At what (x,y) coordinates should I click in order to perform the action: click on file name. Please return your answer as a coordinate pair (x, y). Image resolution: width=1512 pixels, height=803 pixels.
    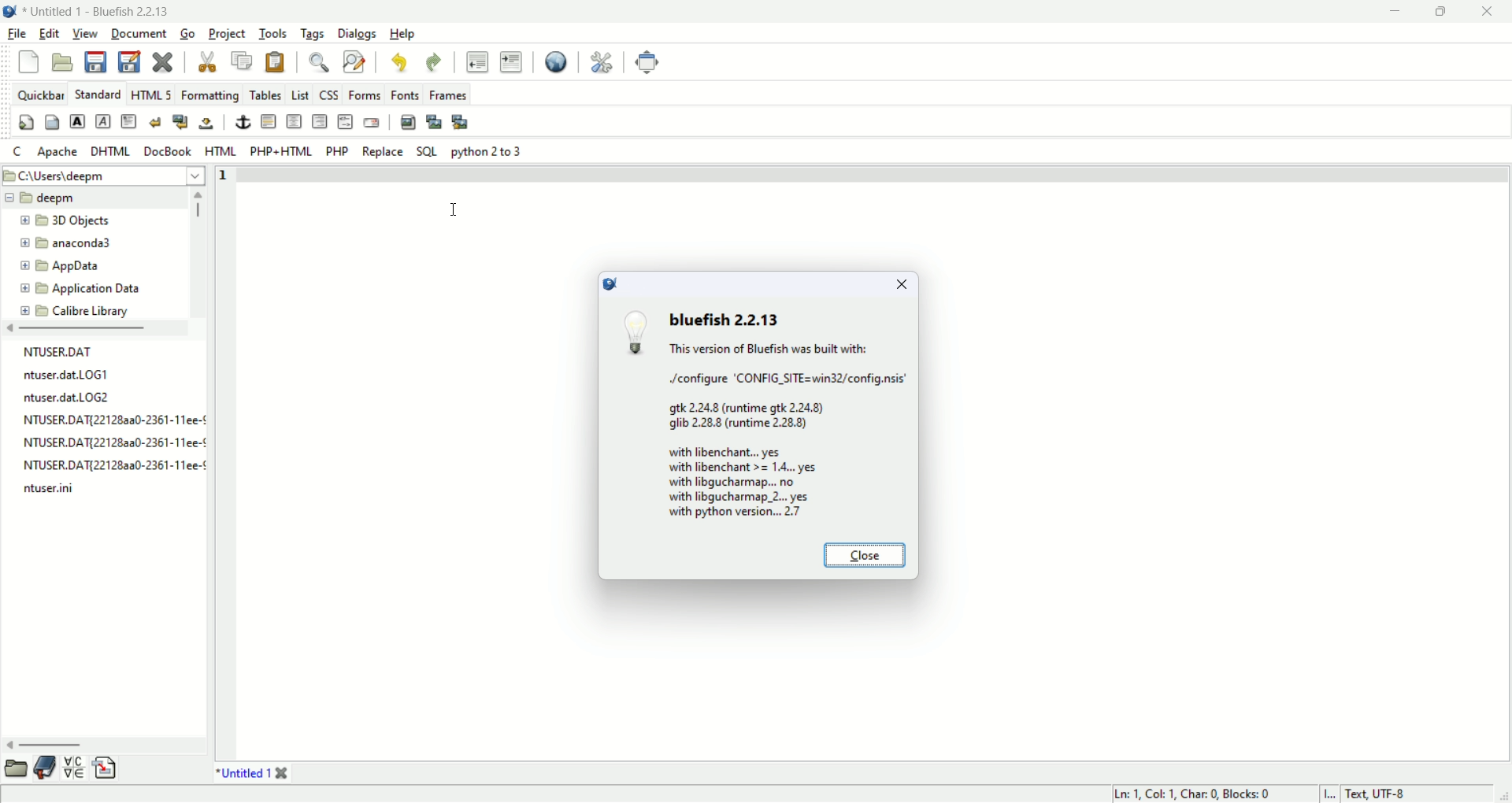
    Looking at the image, I should click on (114, 462).